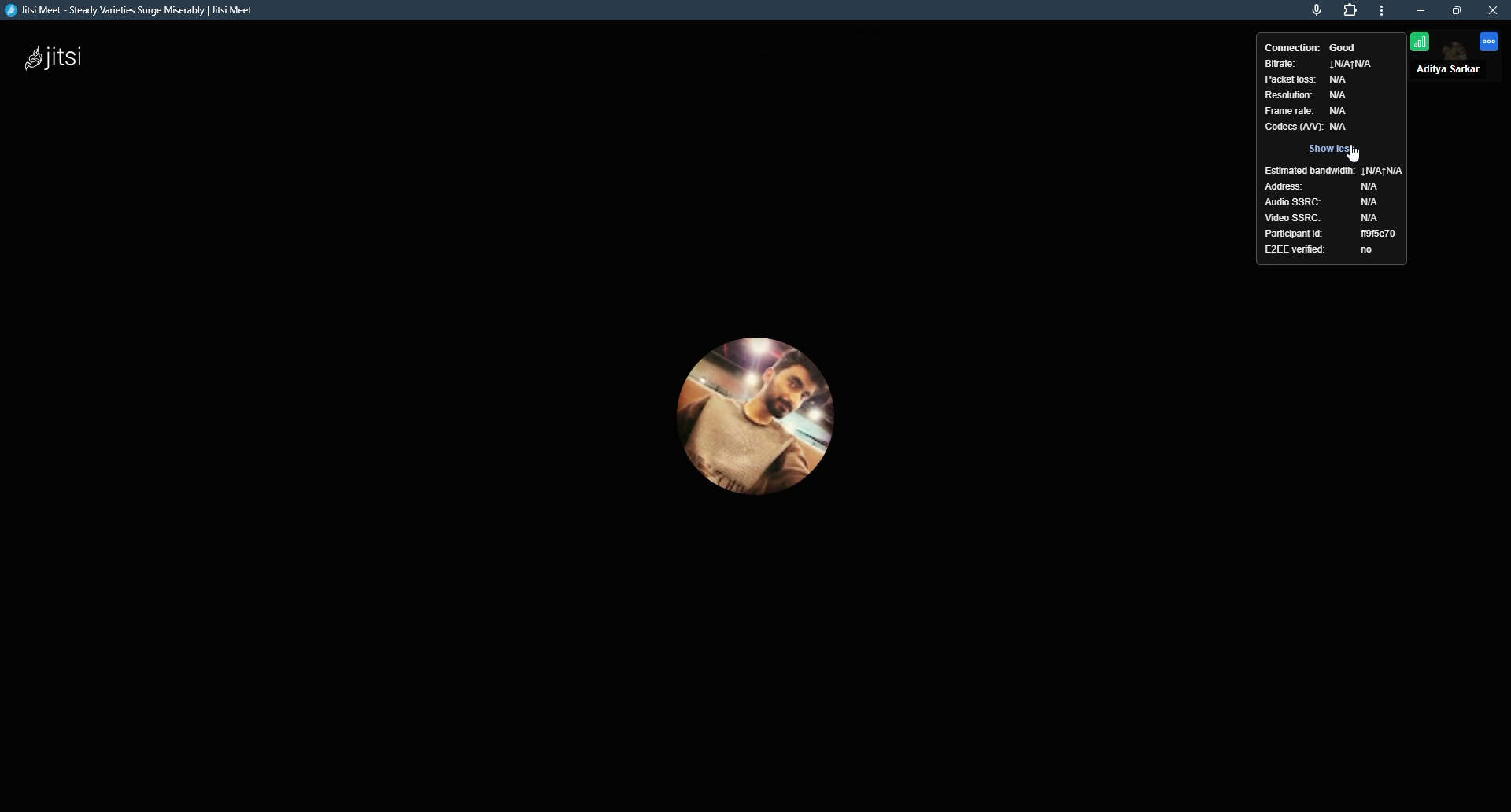 The width and height of the screenshot is (1511, 812). Describe the element at coordinates (1295, 218) in the screenshot. I see `video ssrc` at that location.